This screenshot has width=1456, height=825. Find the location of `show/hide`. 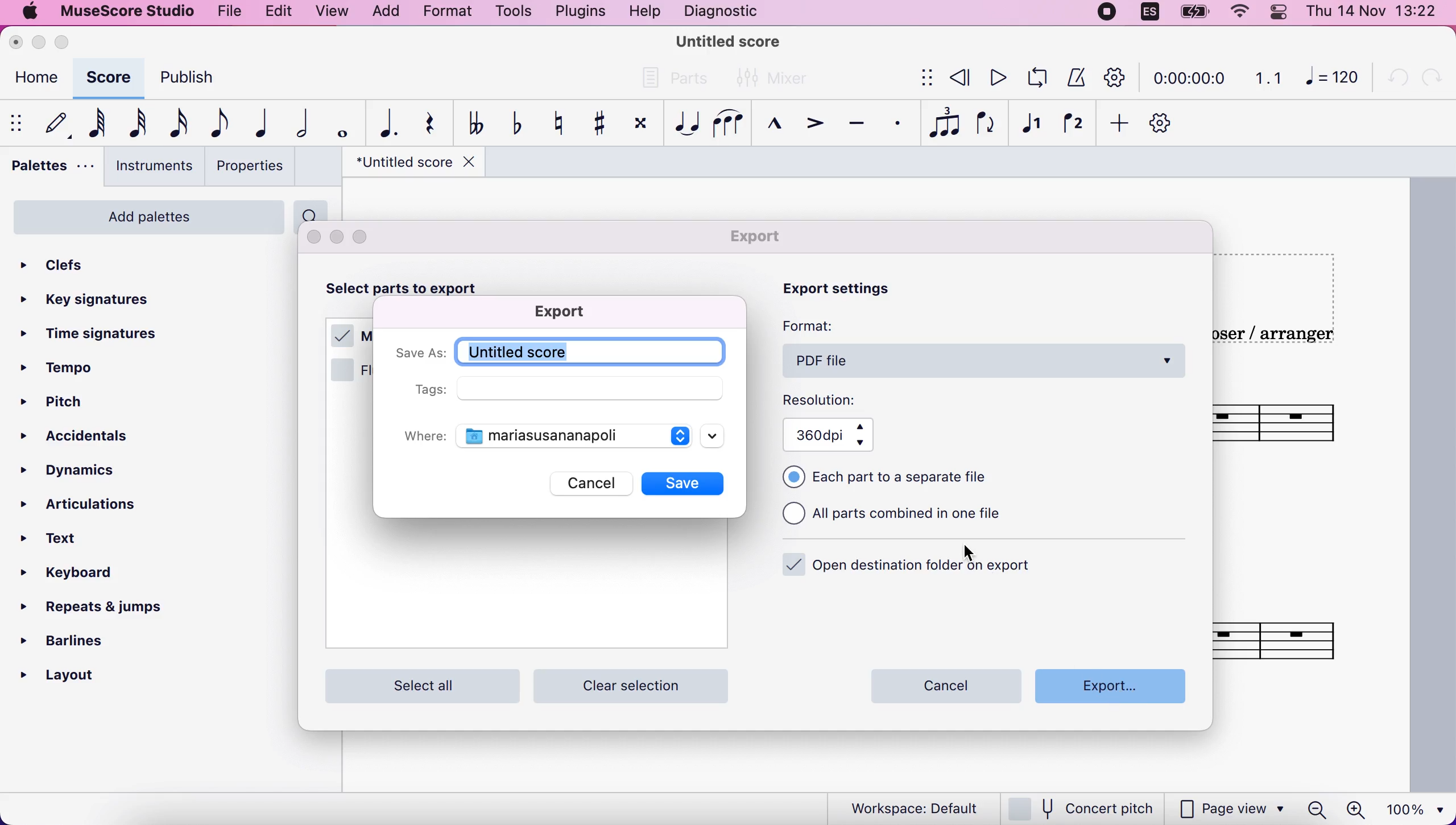

show/hide is located at coordinates (925, 77).